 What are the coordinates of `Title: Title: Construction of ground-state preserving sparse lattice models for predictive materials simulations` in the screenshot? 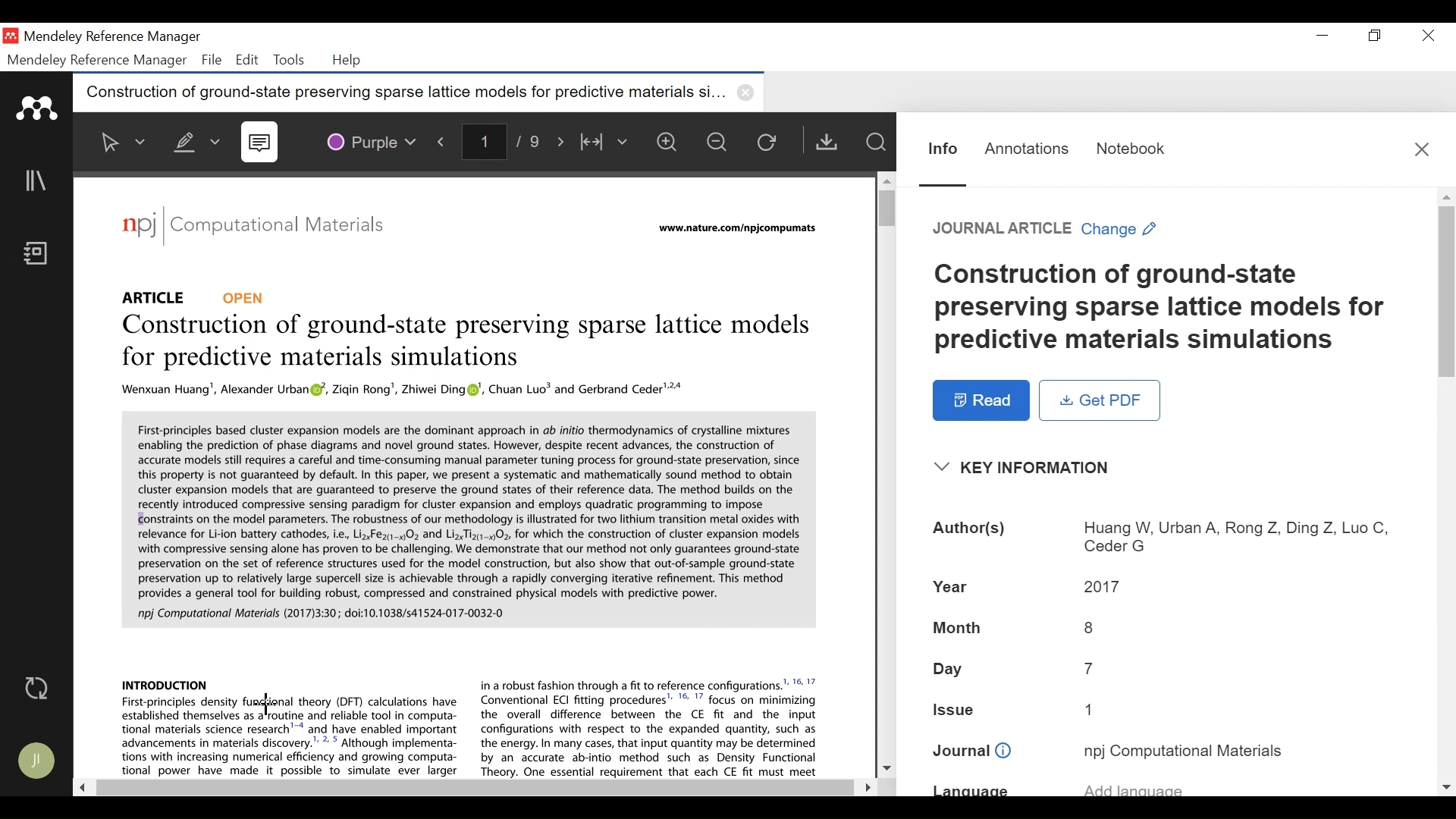 It's located at (1168, 309).